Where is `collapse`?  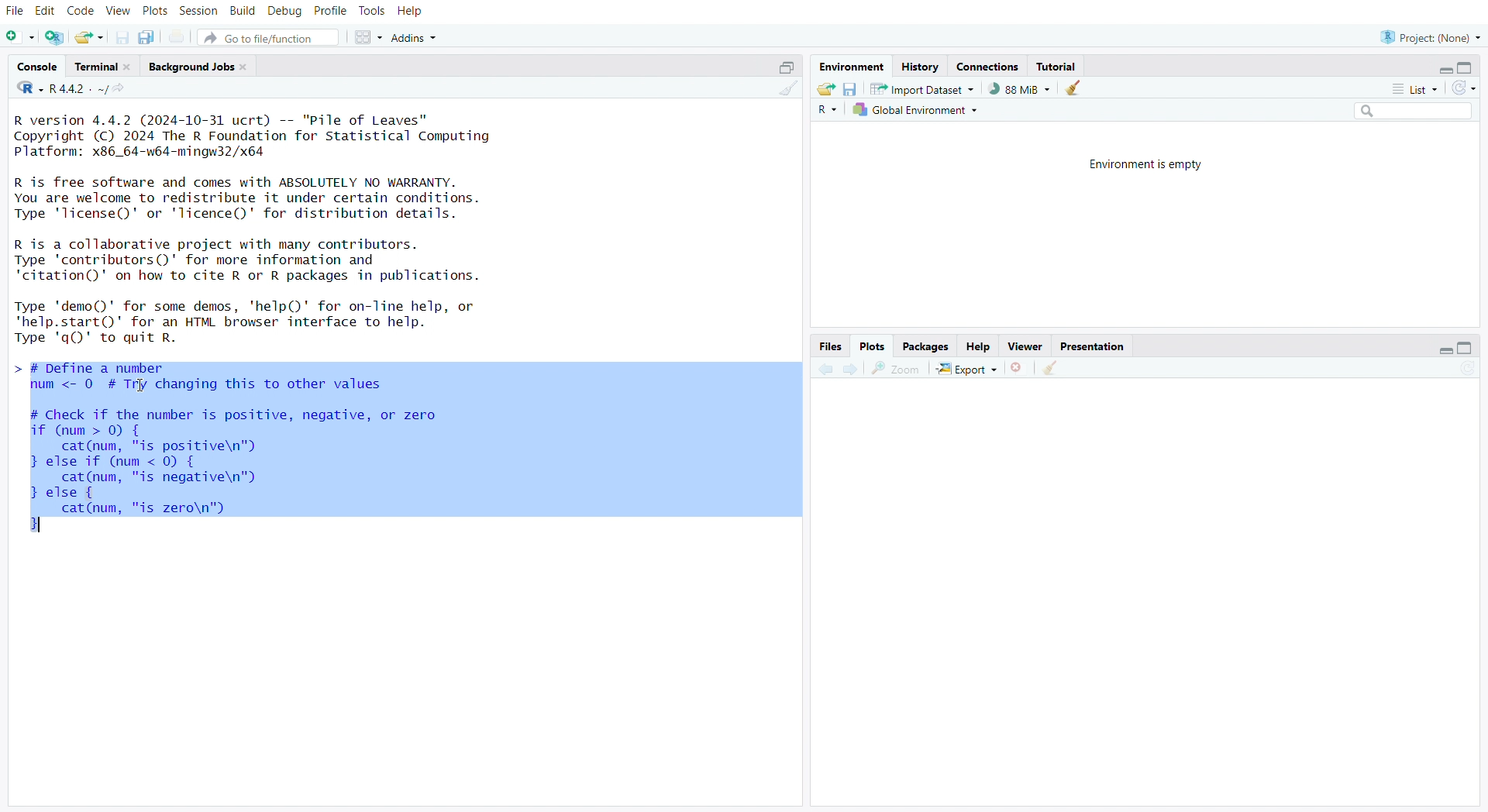 collapse is located at coordinates (1469, 68).